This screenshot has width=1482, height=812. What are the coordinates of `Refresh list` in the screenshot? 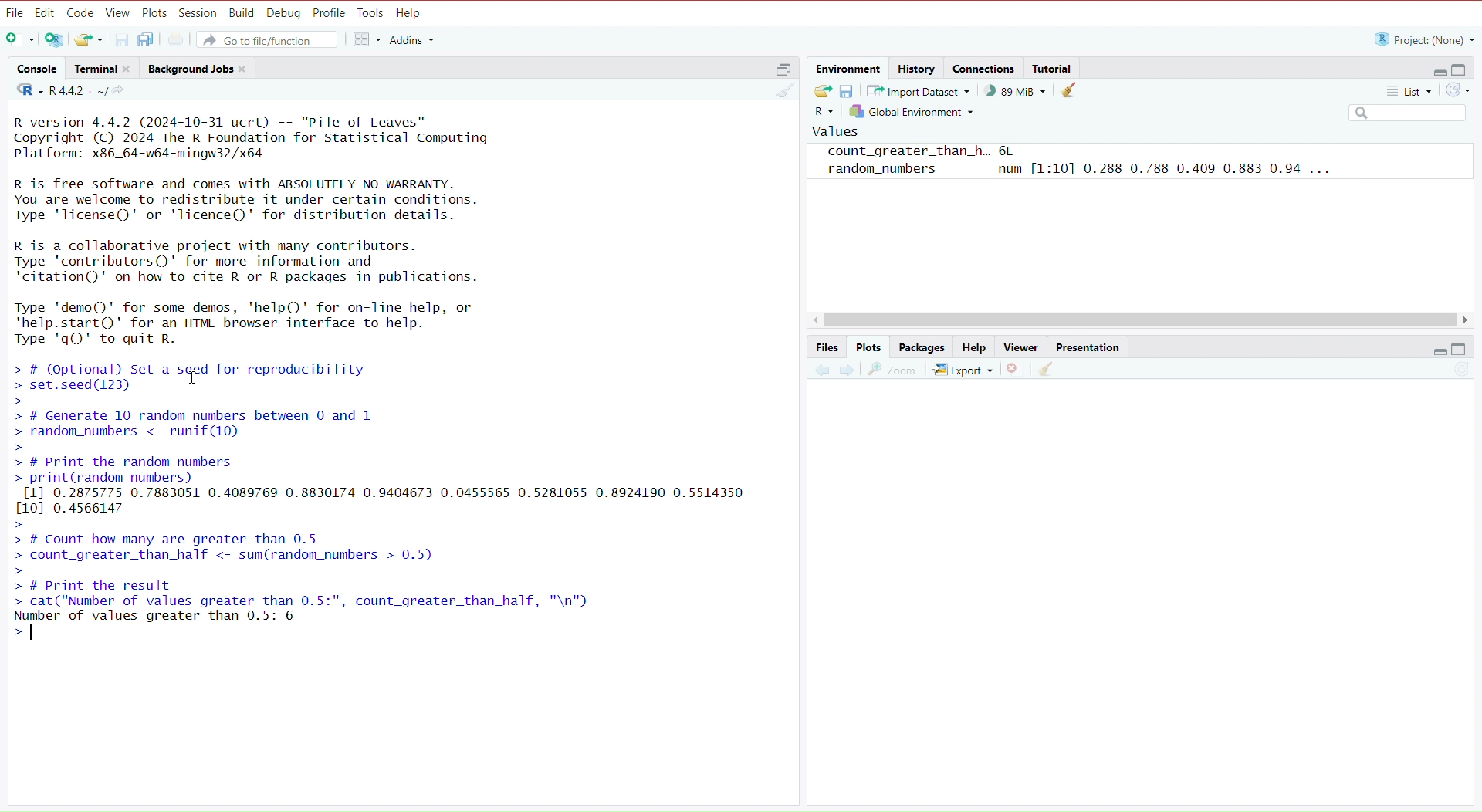 It's located at (1456, 90).